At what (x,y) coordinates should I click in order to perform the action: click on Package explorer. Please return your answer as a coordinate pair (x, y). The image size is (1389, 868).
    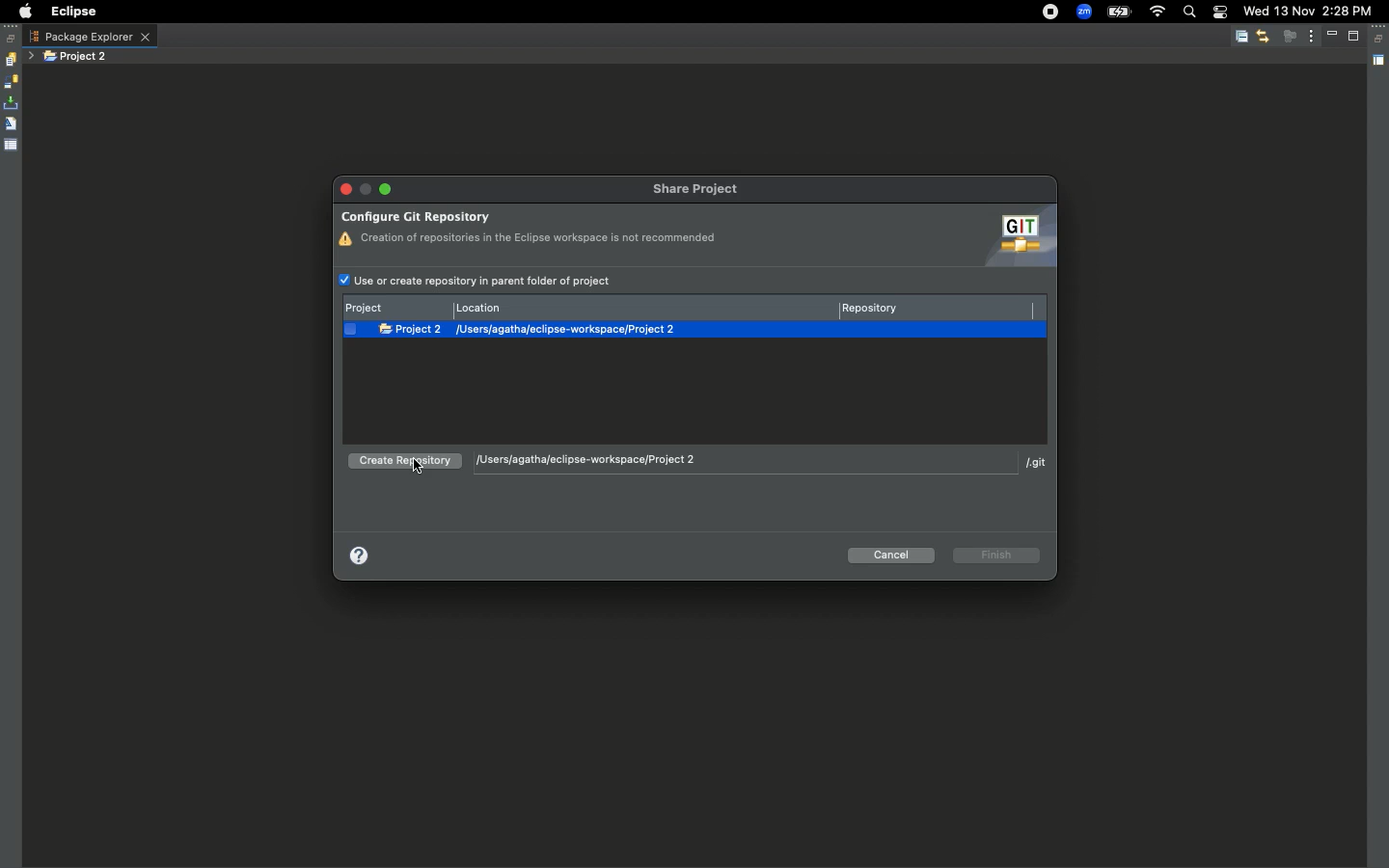
    Looking at the image, I should click on (90, 37).